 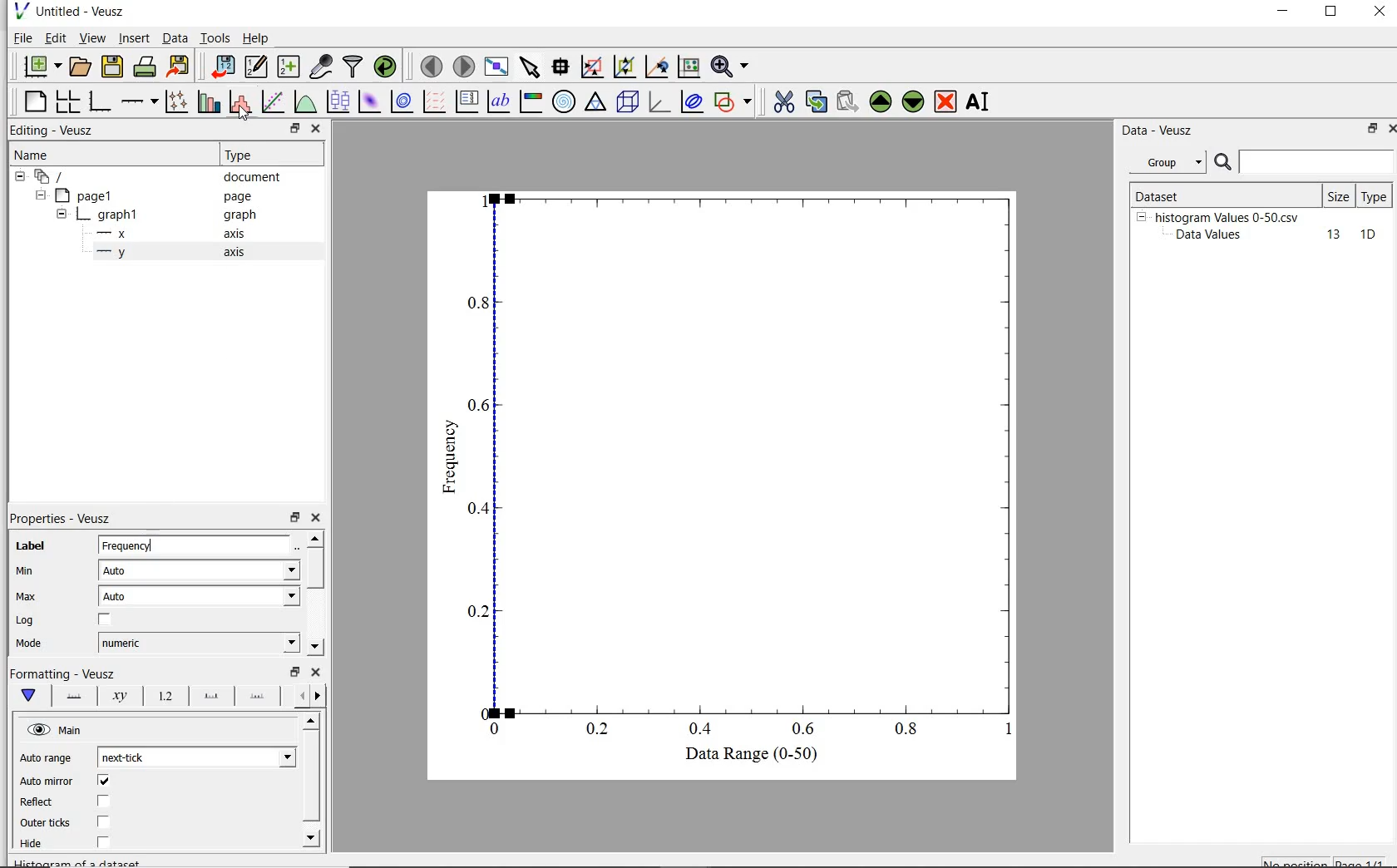 What do you see at coordinates (314, 538) in the screenshot?
I see `move up` at bounding box center [314, 538].